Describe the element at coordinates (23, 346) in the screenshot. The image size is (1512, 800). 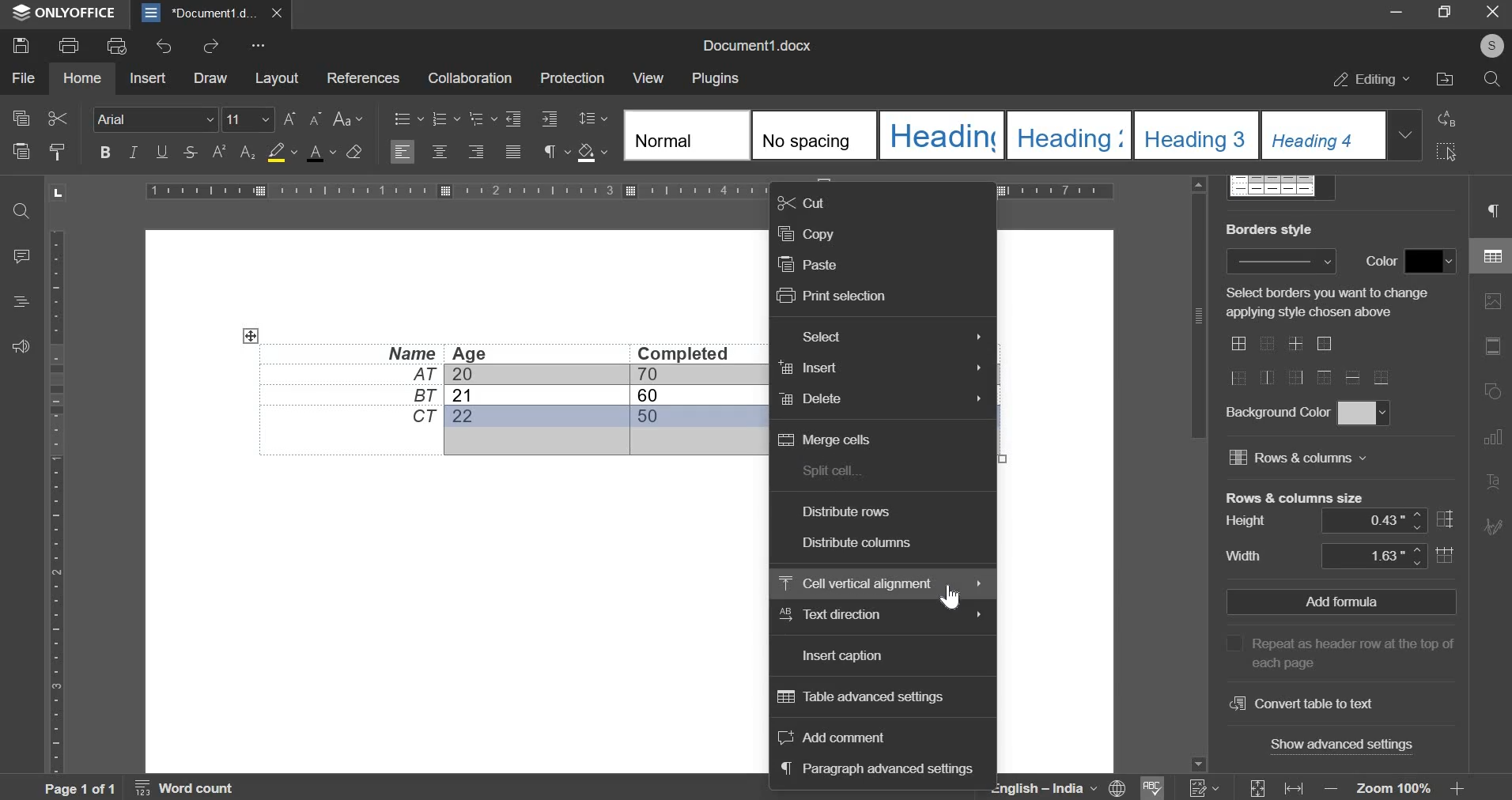
I see `feedback` at that location.